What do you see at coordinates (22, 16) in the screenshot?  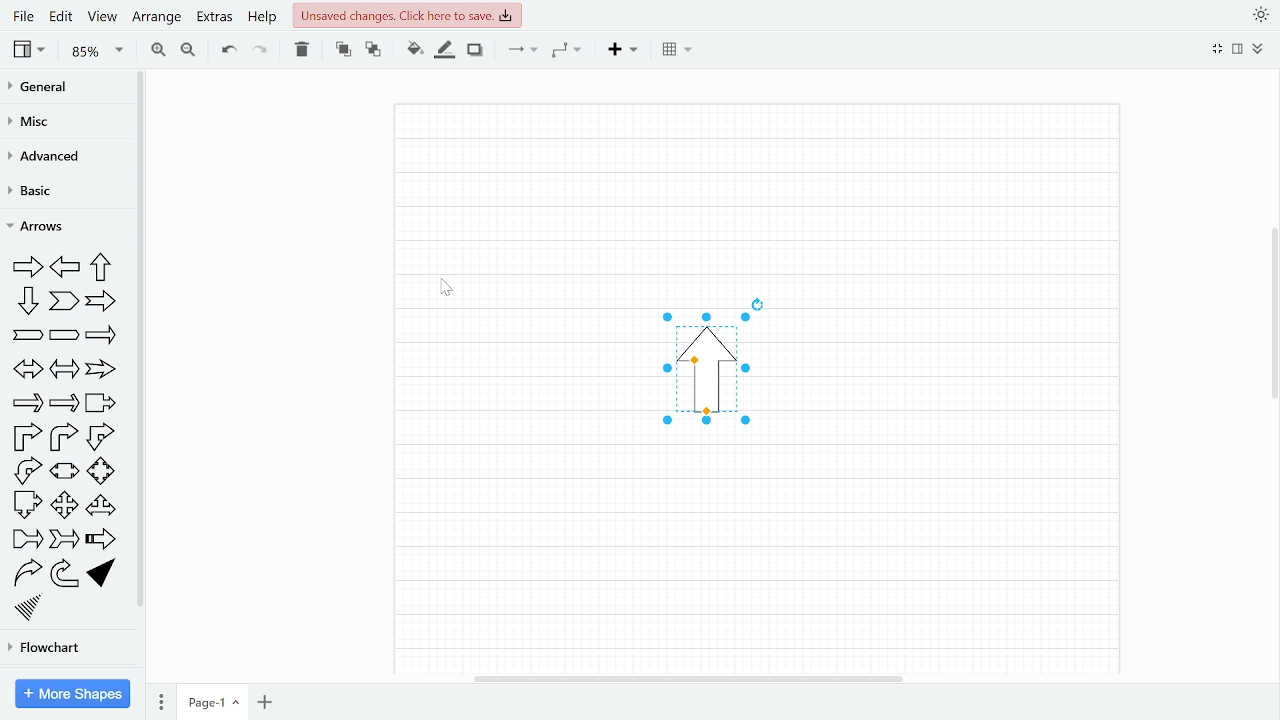 I see `File` at bounding box center [22, 16].